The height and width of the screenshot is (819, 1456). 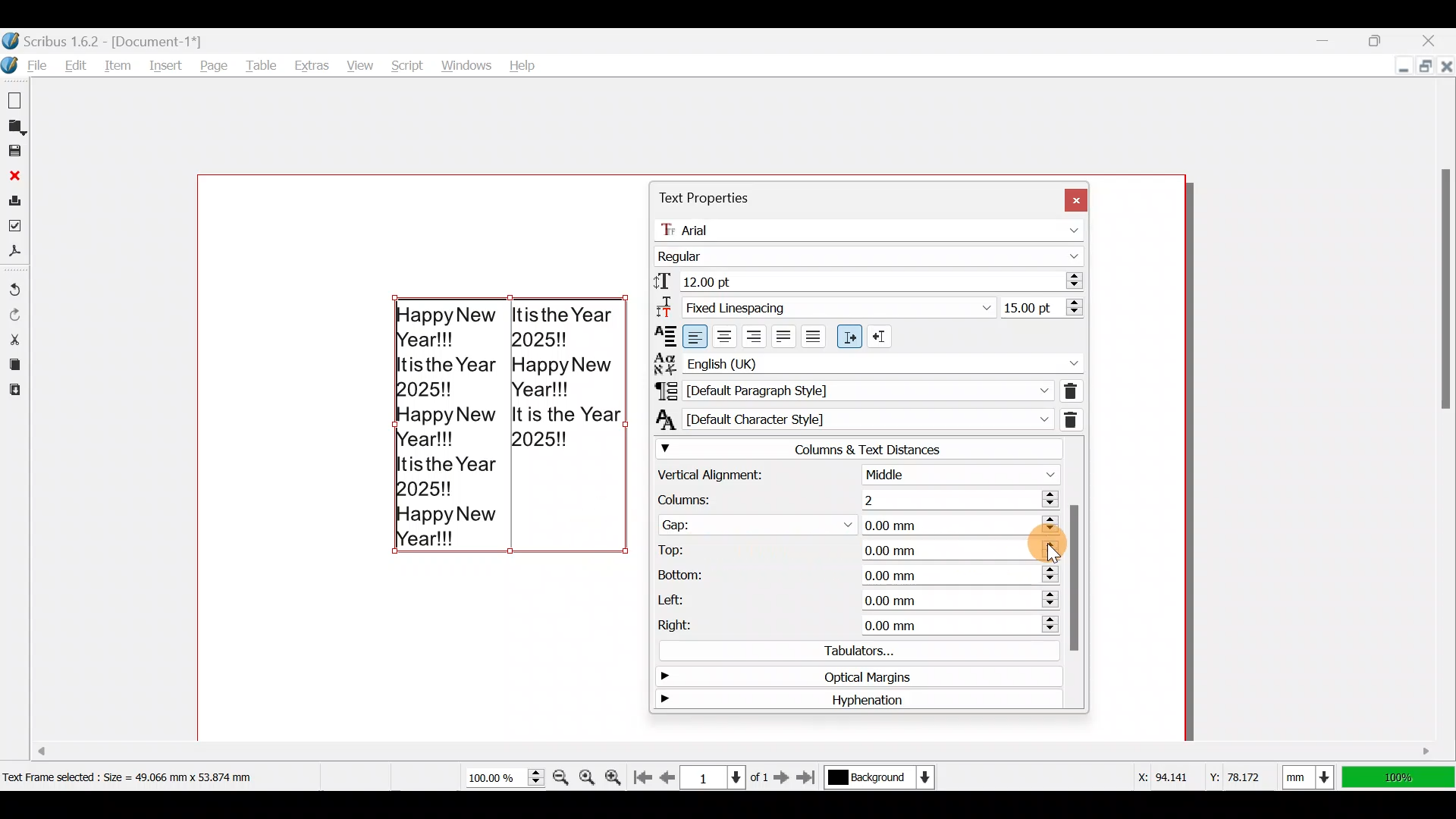 What do you see at coordinates (15, 200) in the screenshot?
I see `Print` at bounding box center [15, 200].